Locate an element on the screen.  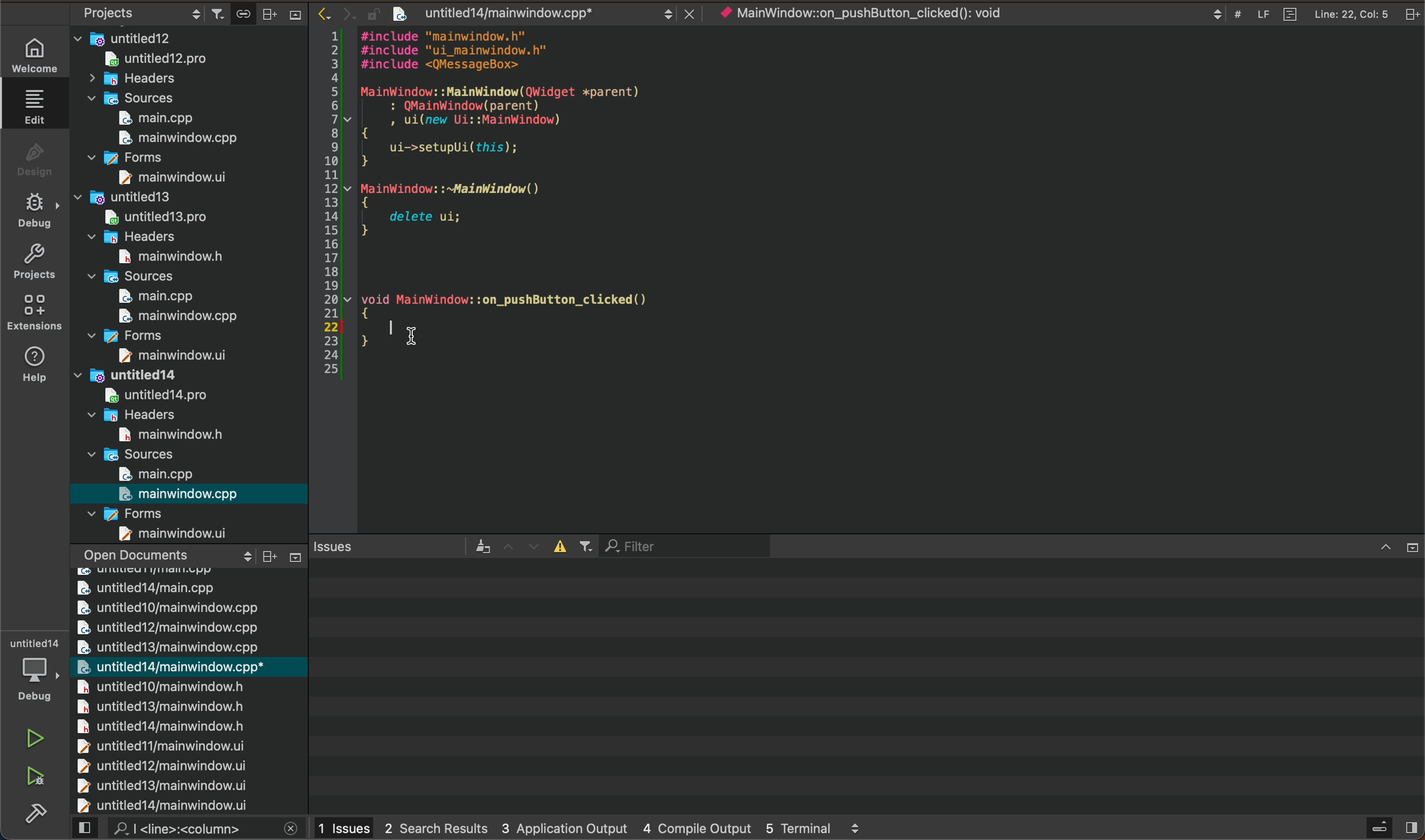
close slide bar is located at coordinates (1394, 547).